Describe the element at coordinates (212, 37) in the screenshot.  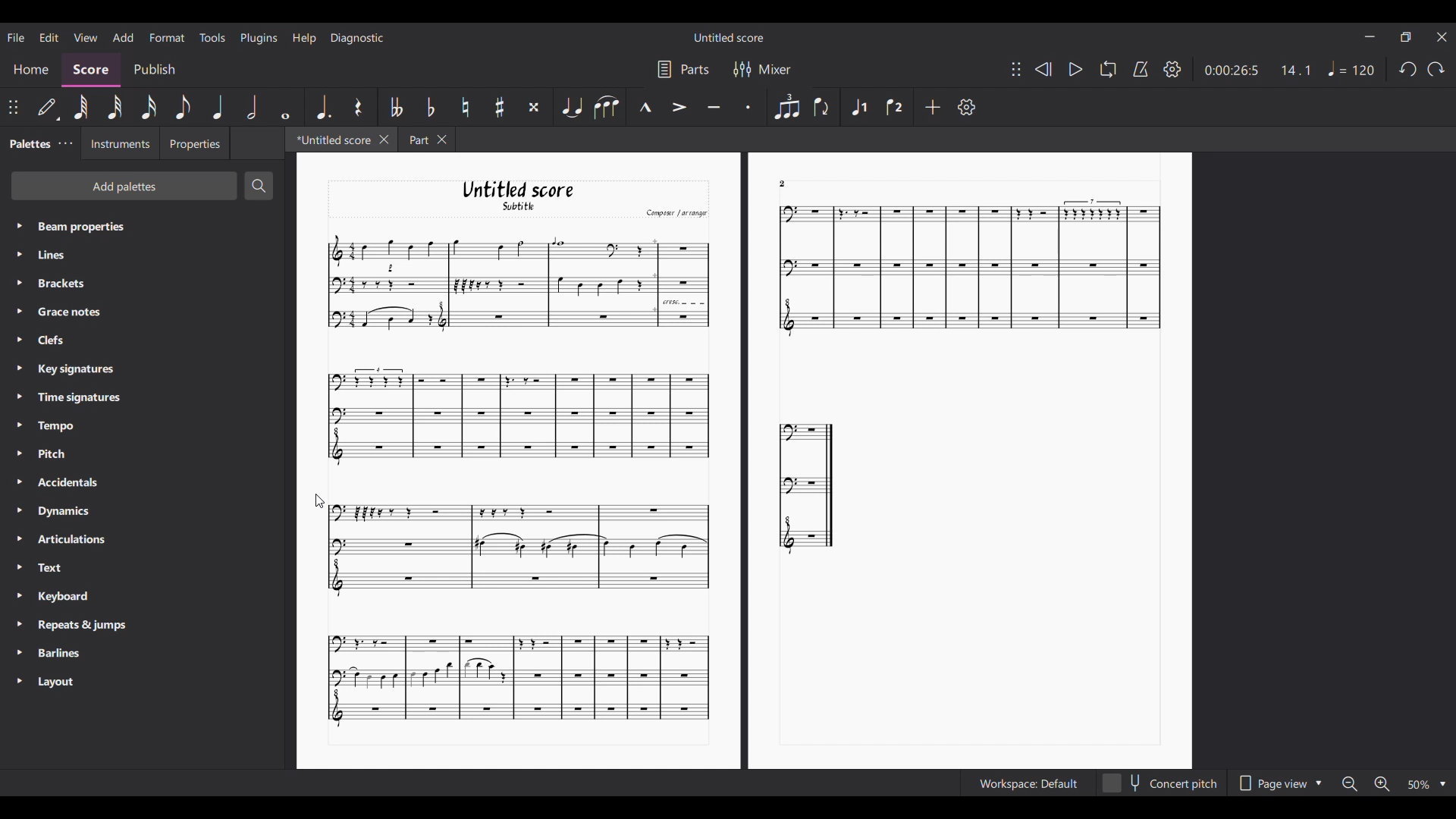
I see `Tools menu` at that location.